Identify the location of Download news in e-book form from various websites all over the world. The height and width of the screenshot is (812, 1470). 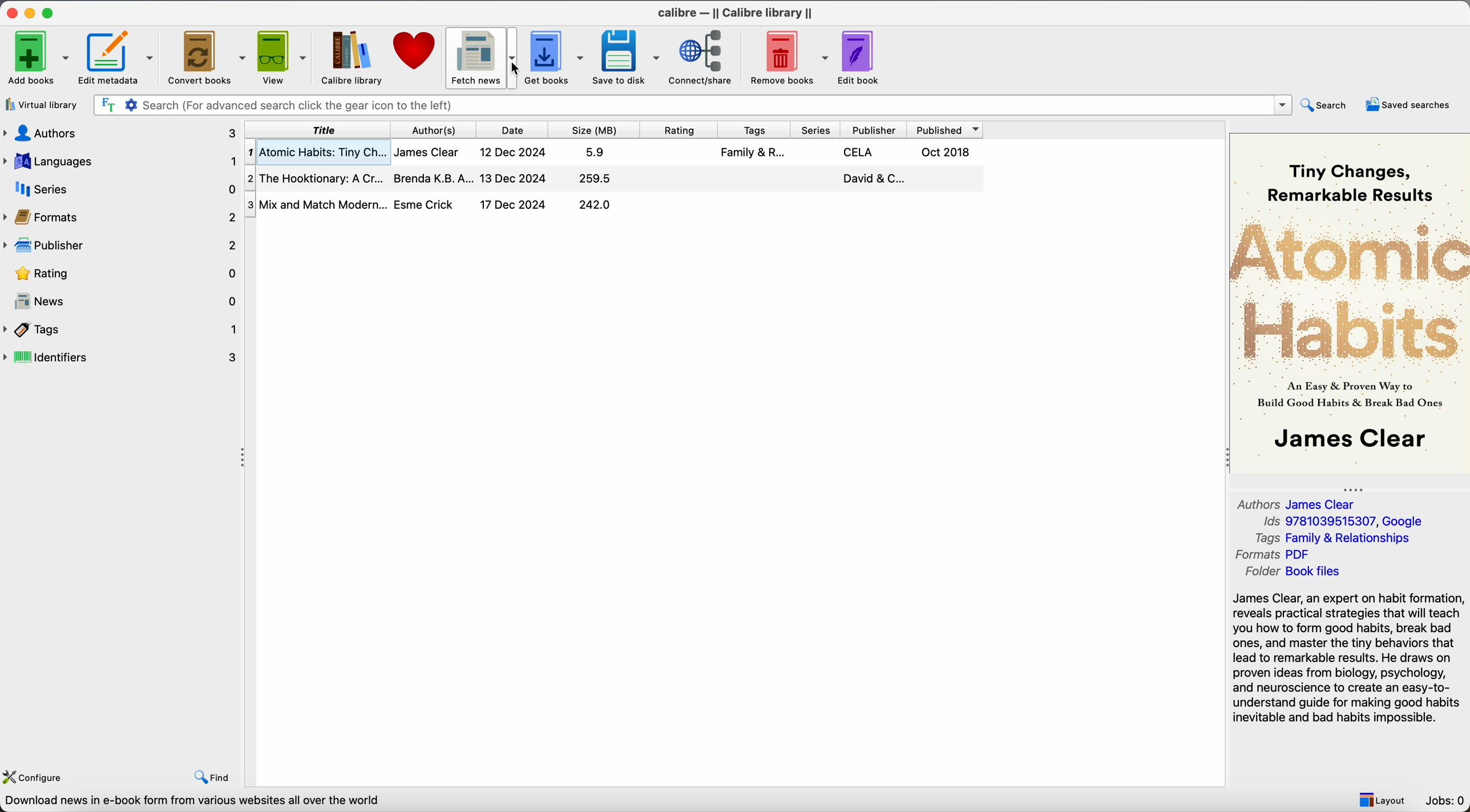
(194, 802).